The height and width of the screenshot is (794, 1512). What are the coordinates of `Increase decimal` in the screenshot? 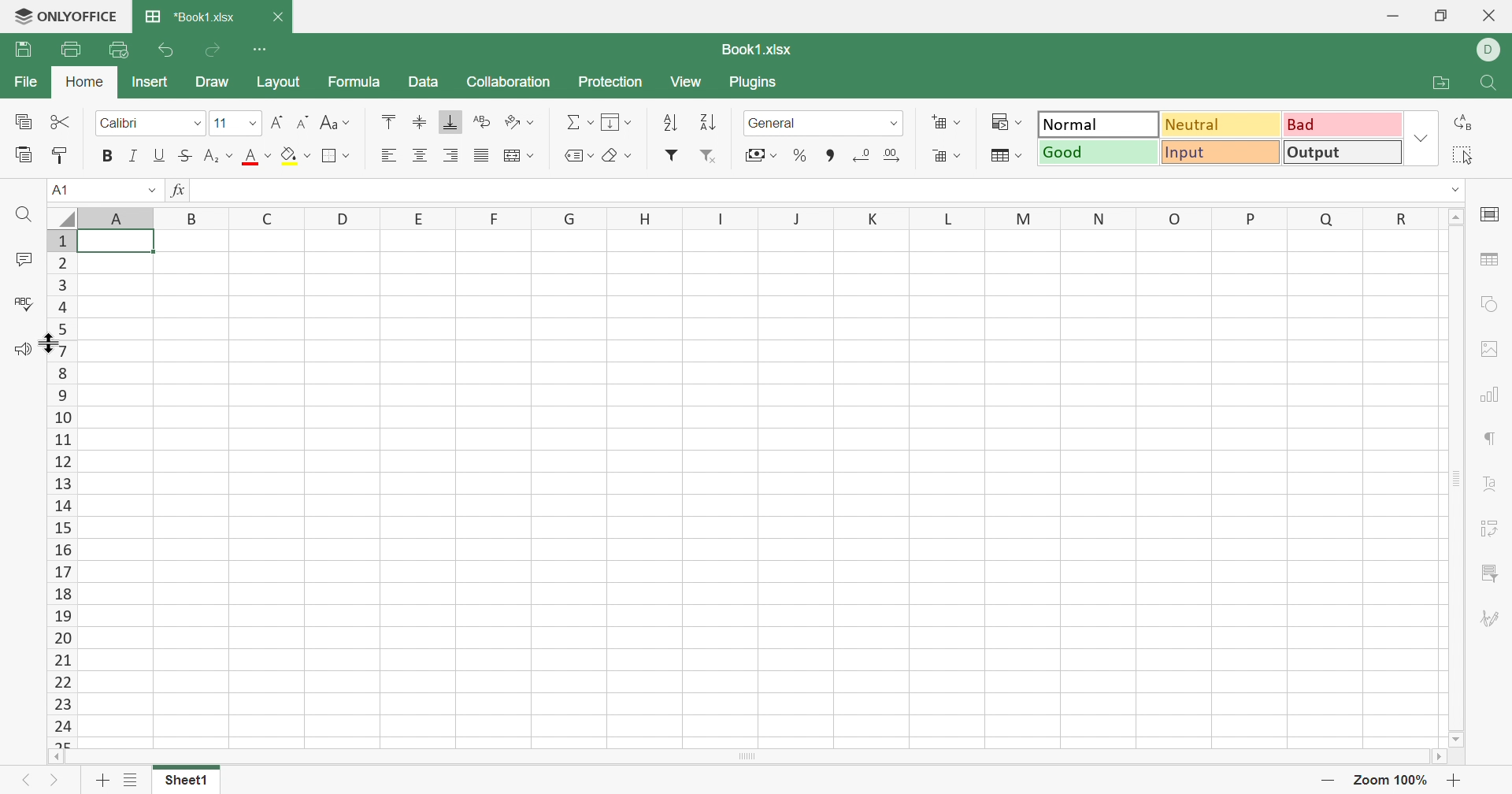 It's located at (891, 155).